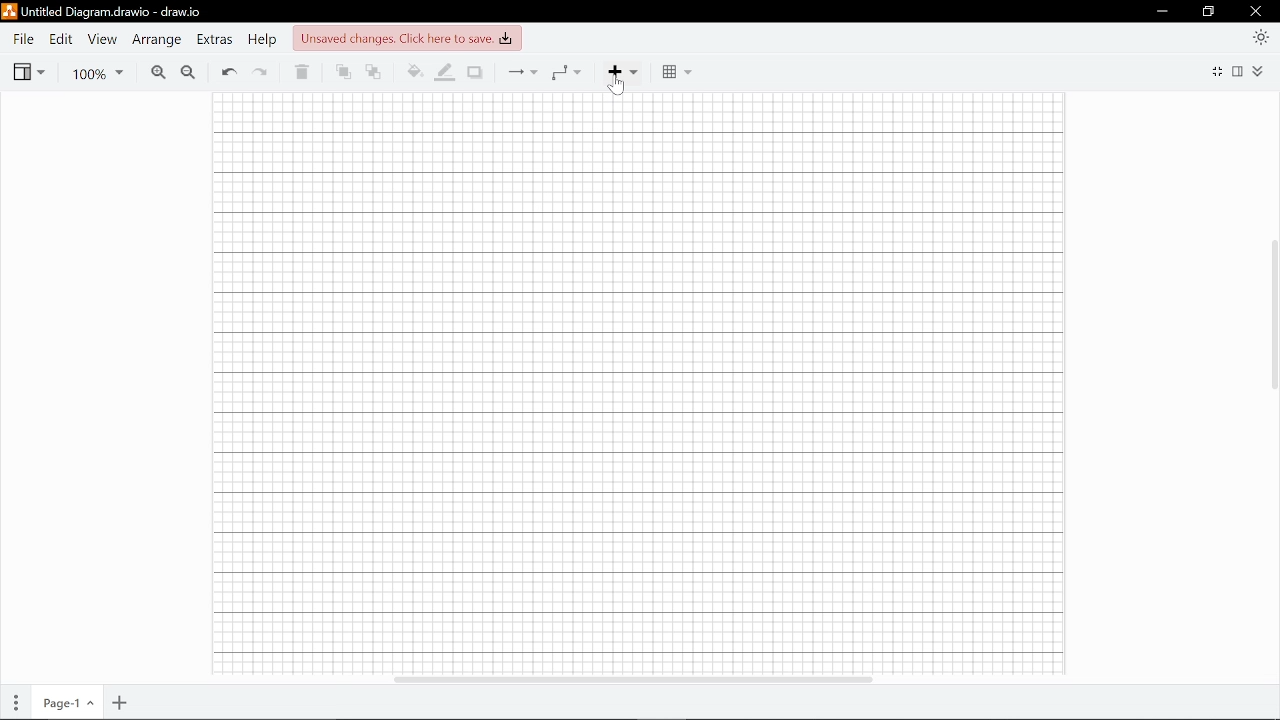  I want to click on To front, so click(344, 72).